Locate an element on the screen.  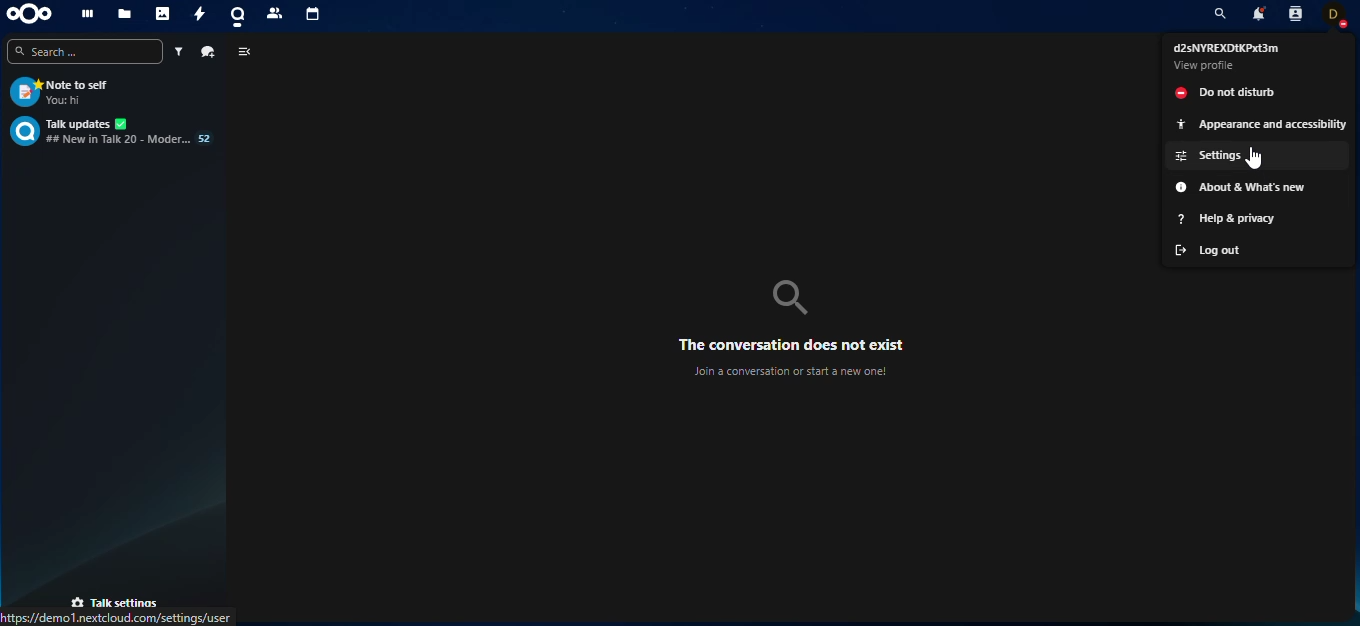
Cursor is located at coordinates (1253, 158).